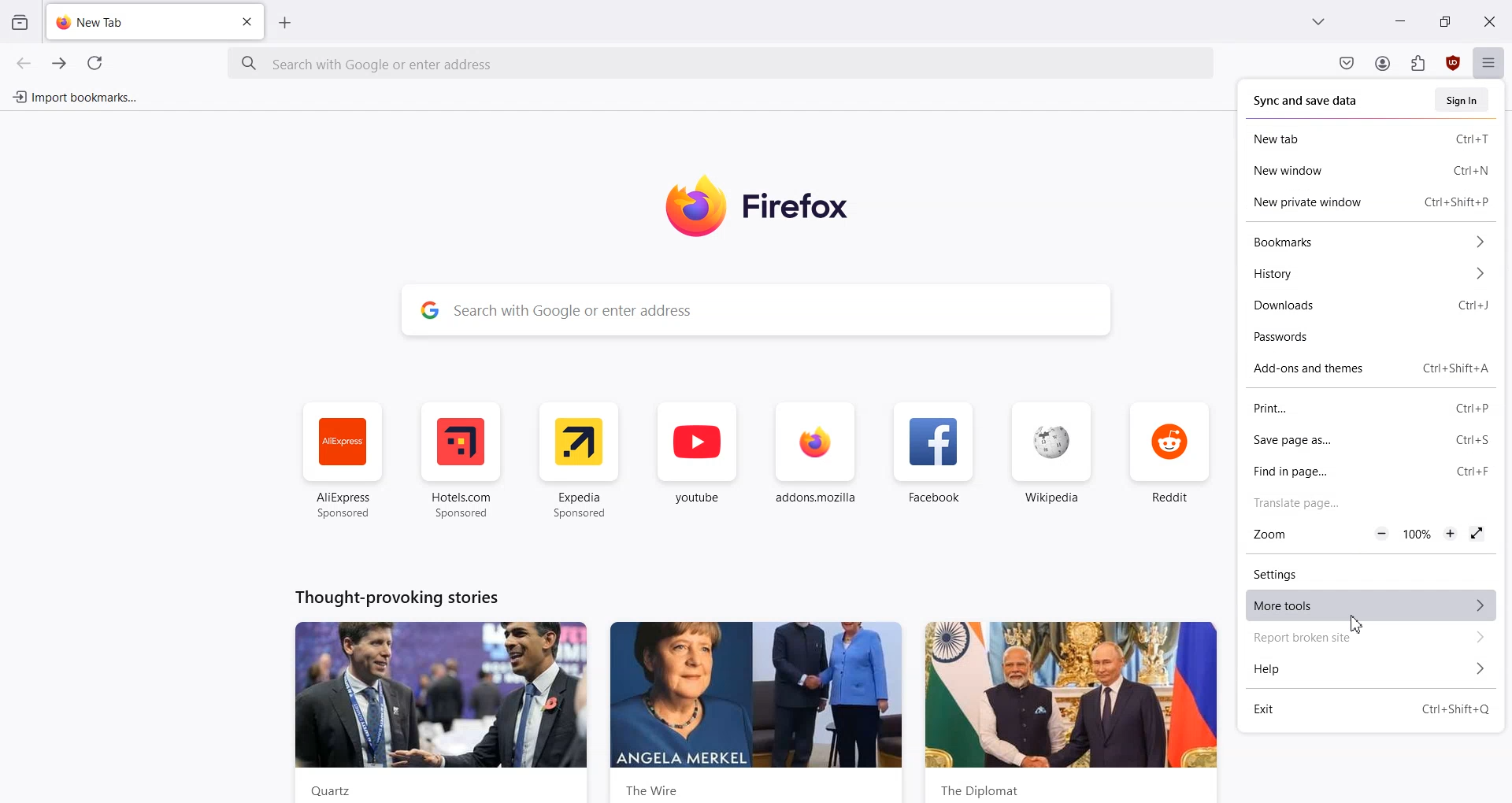 The image size is (1512, 803). I want to click on Add-ons and Themes, so click(1317, 369).